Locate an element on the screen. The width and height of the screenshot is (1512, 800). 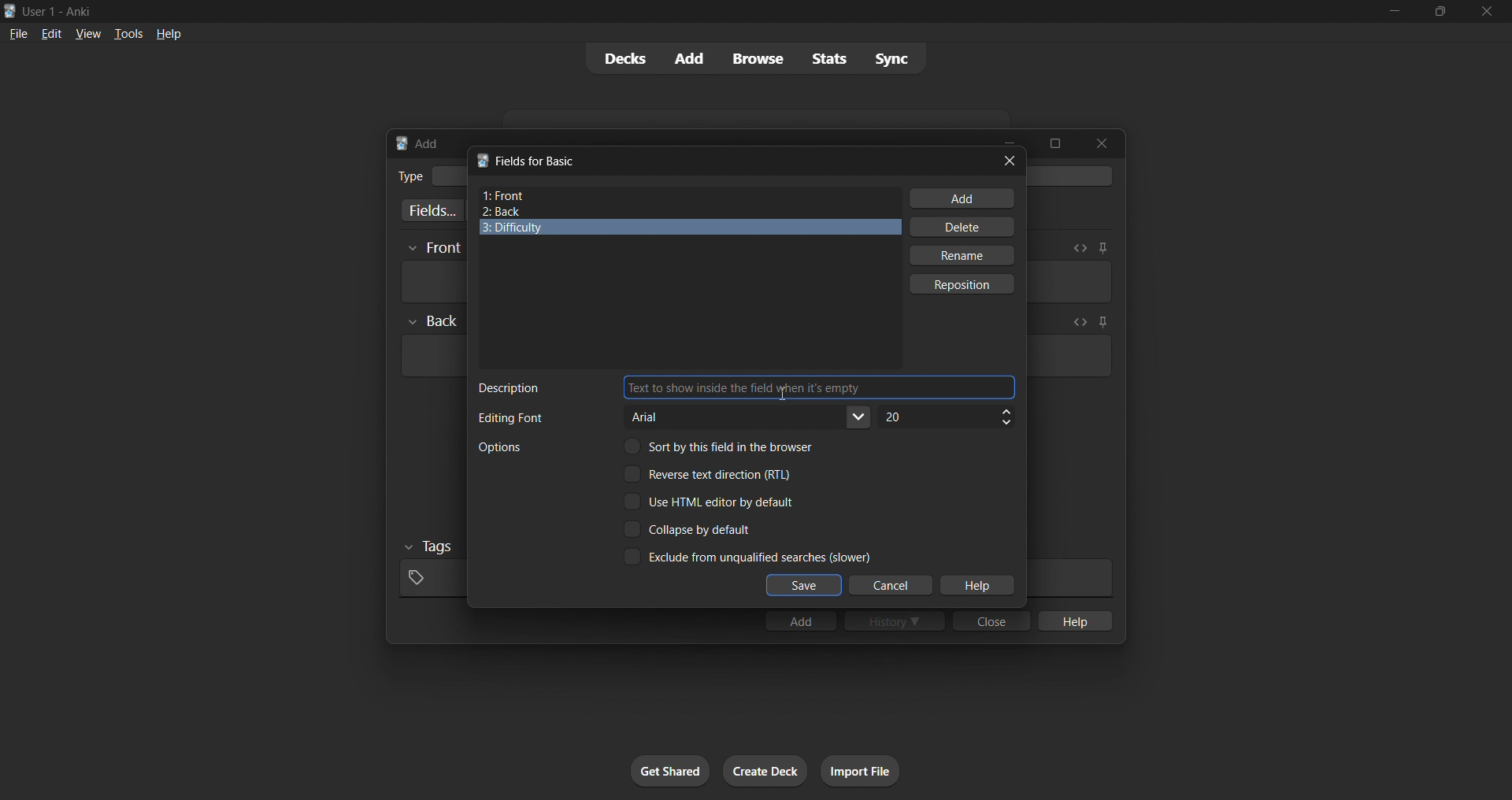
field font size is located at coordinates (946, 417).